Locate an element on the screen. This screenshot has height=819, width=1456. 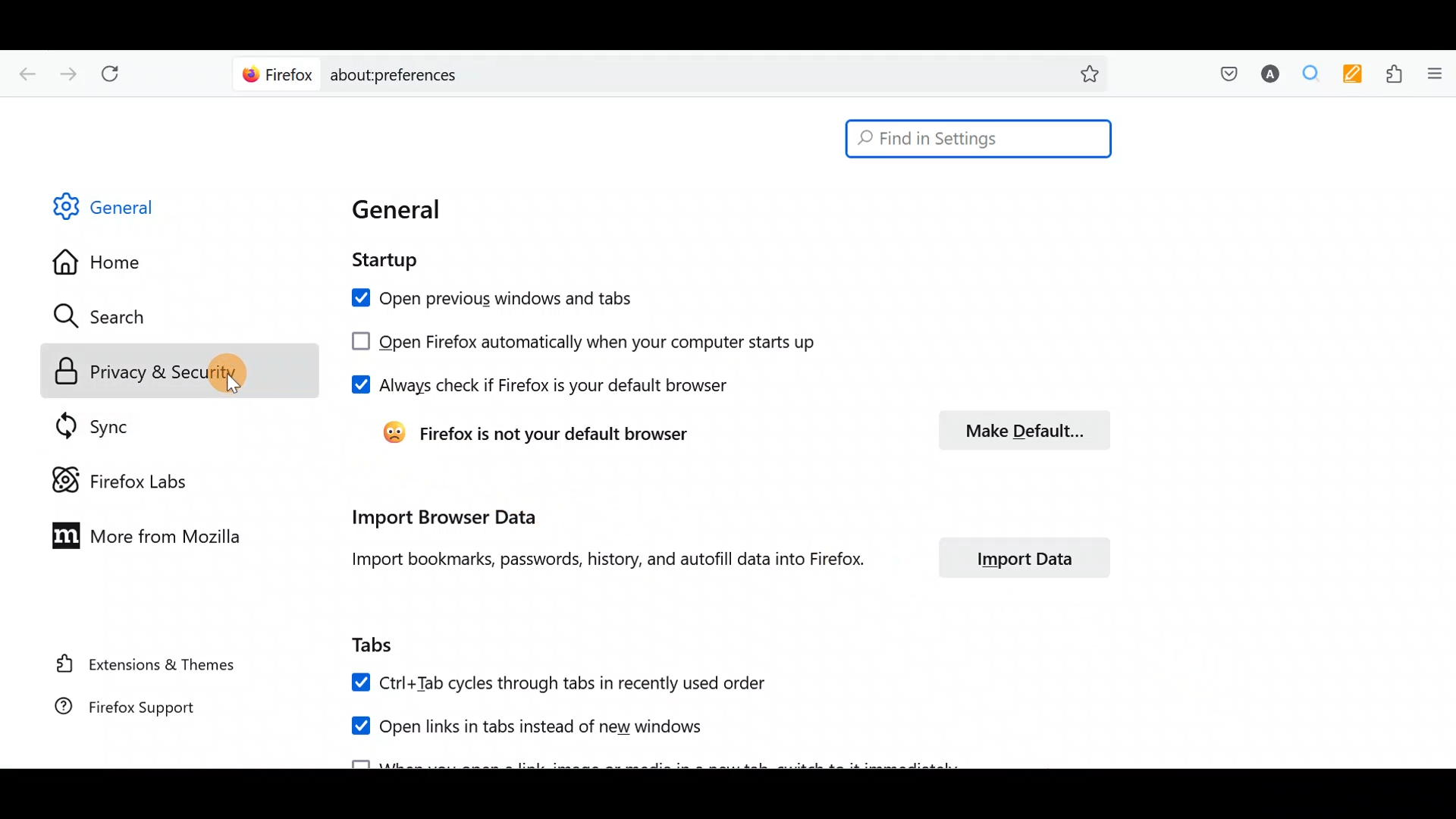
Startup is located at coordinates (397, 260).